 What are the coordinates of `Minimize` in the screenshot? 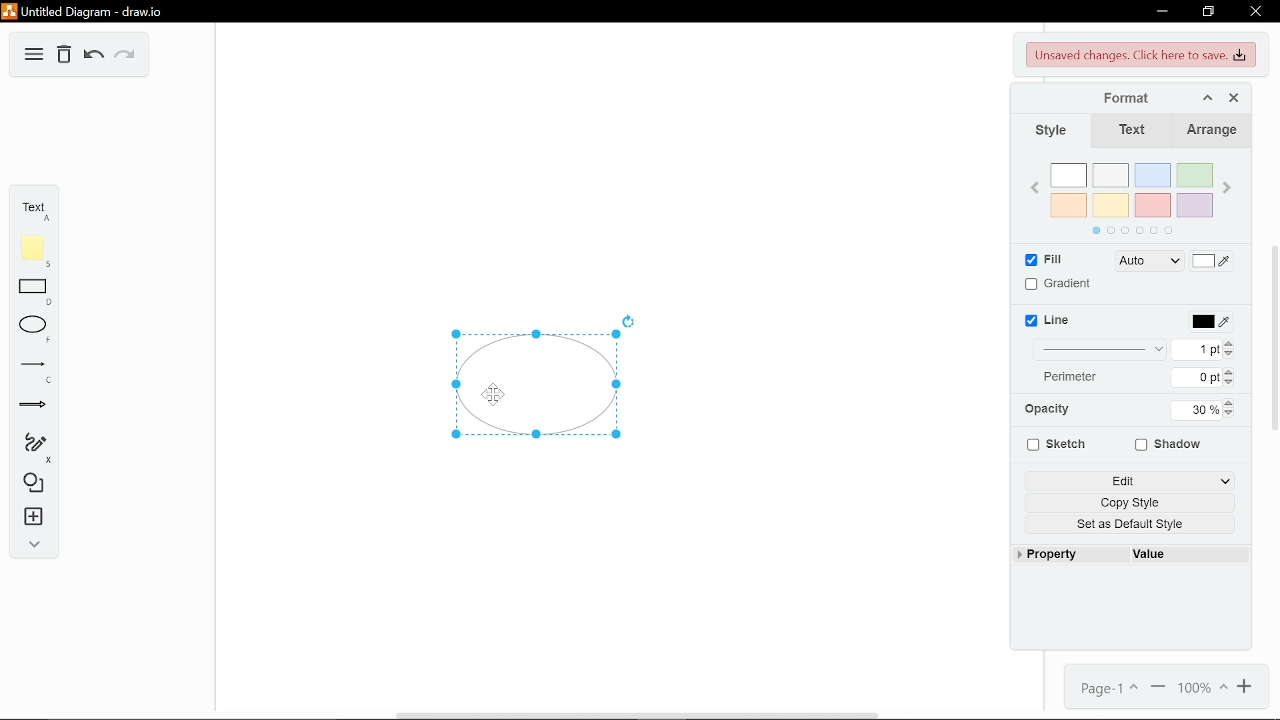 It's located at (1160, 12).